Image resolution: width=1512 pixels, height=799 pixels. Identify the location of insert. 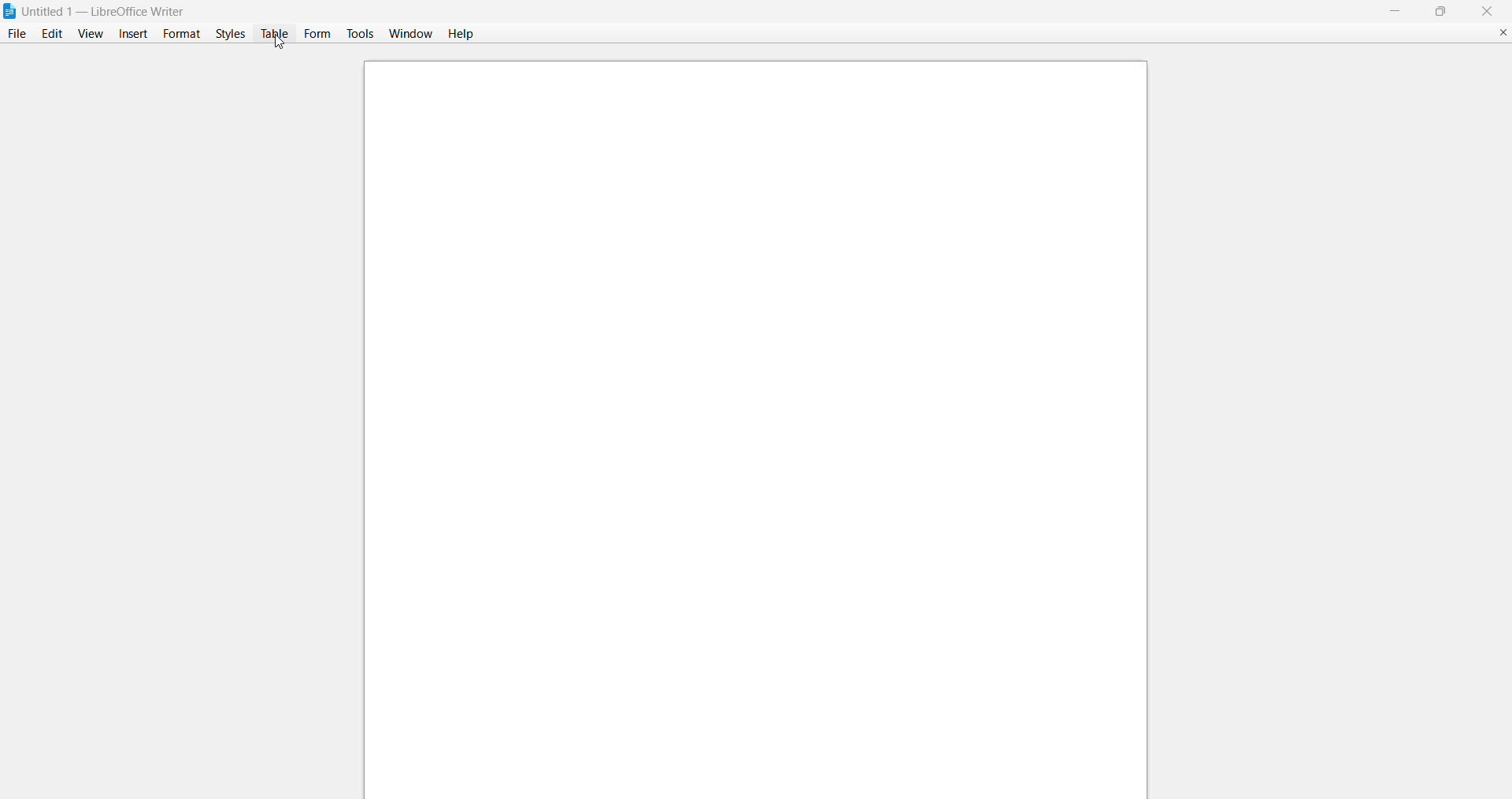
(134, 33).